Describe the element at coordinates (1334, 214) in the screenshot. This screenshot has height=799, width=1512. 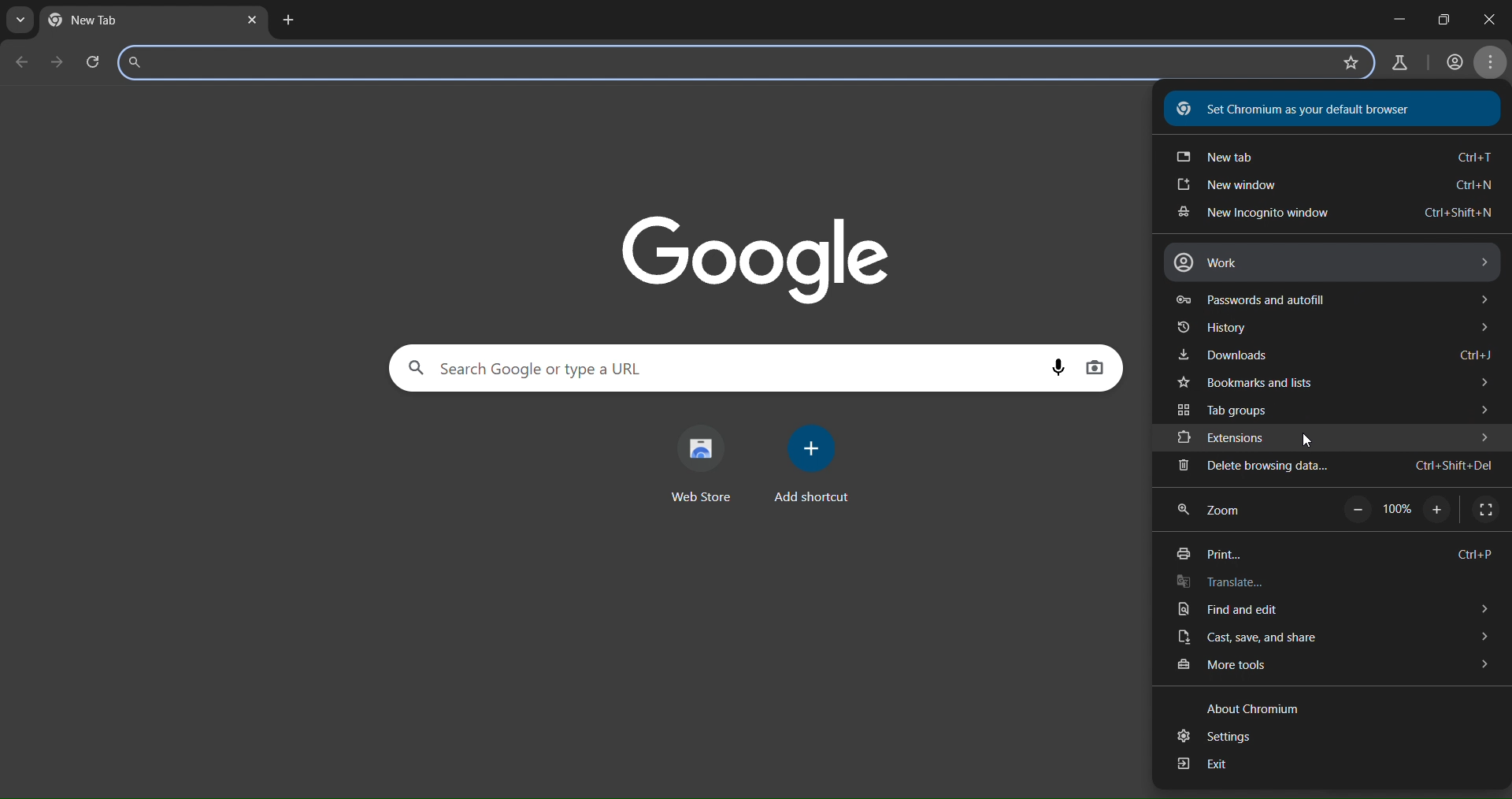
I see `new incognito window` at that location.